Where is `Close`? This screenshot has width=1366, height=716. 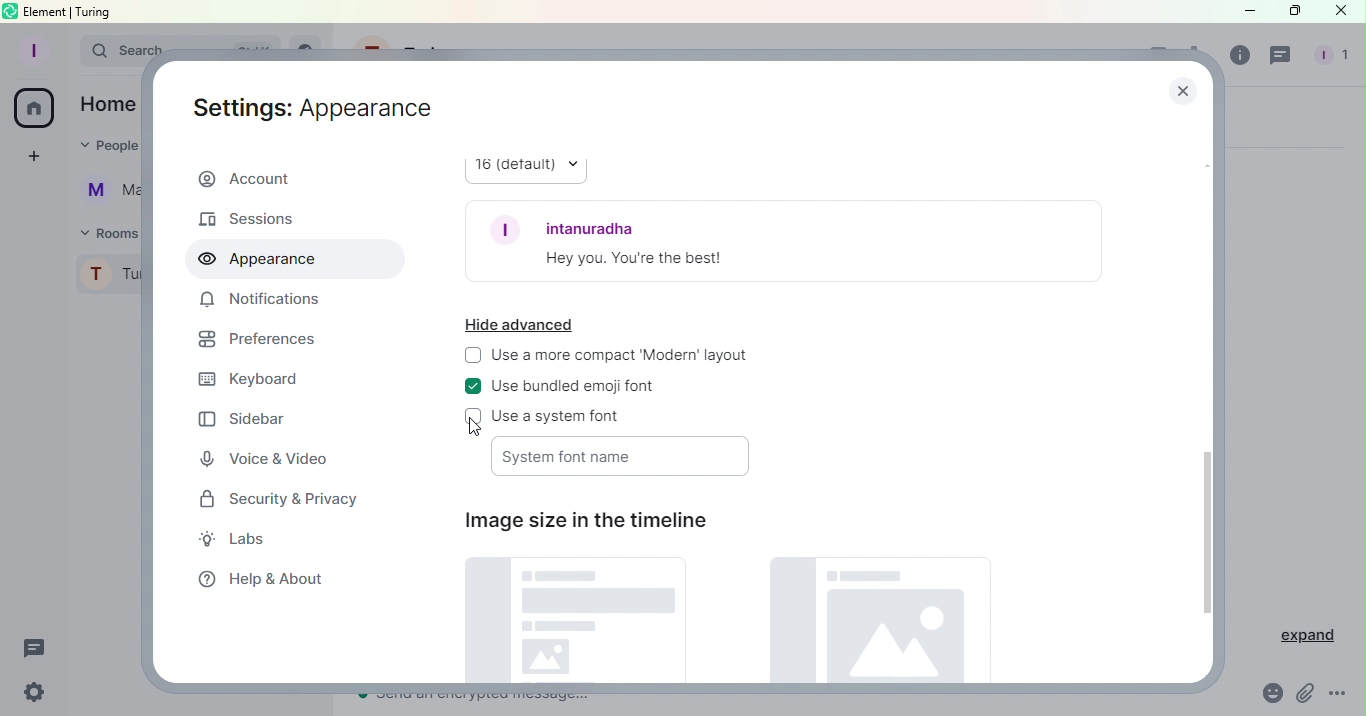 Close is located at coordinates (1342, 12).